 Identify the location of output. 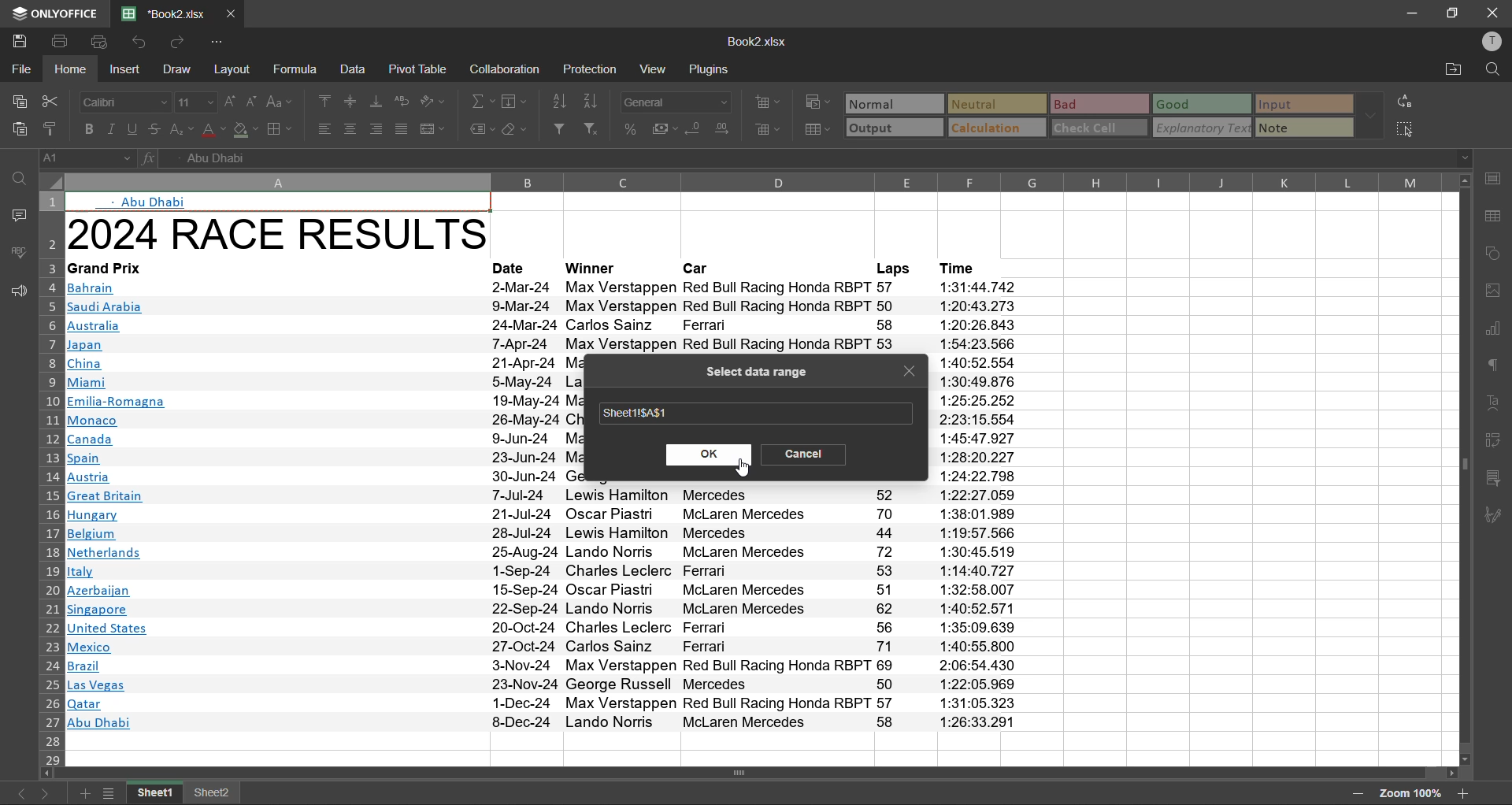
(894, 128).